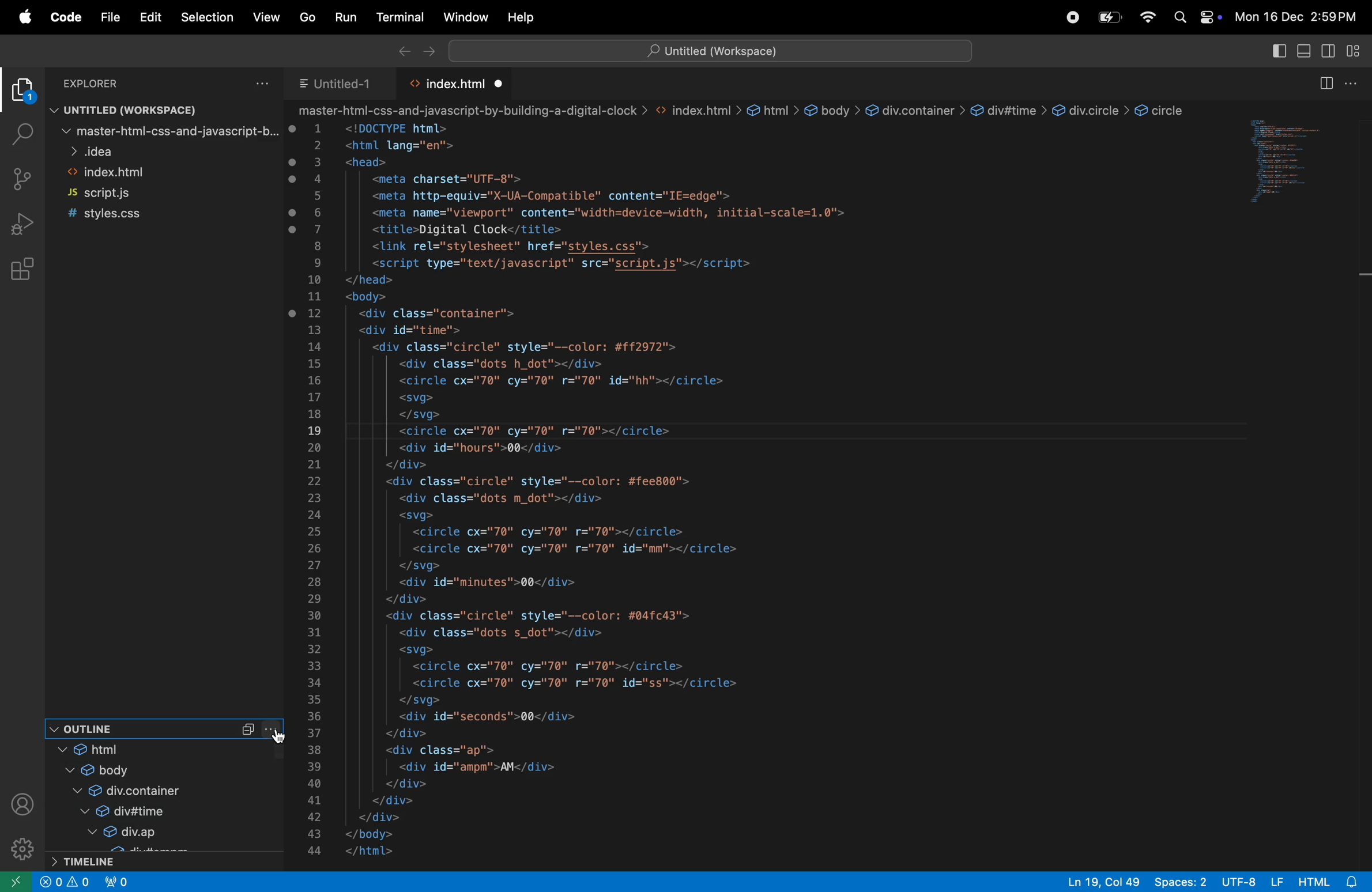  What do you see at coordinates (101, 82) in the screenshot?
I see `explorer` at bounding box center [101, 82].